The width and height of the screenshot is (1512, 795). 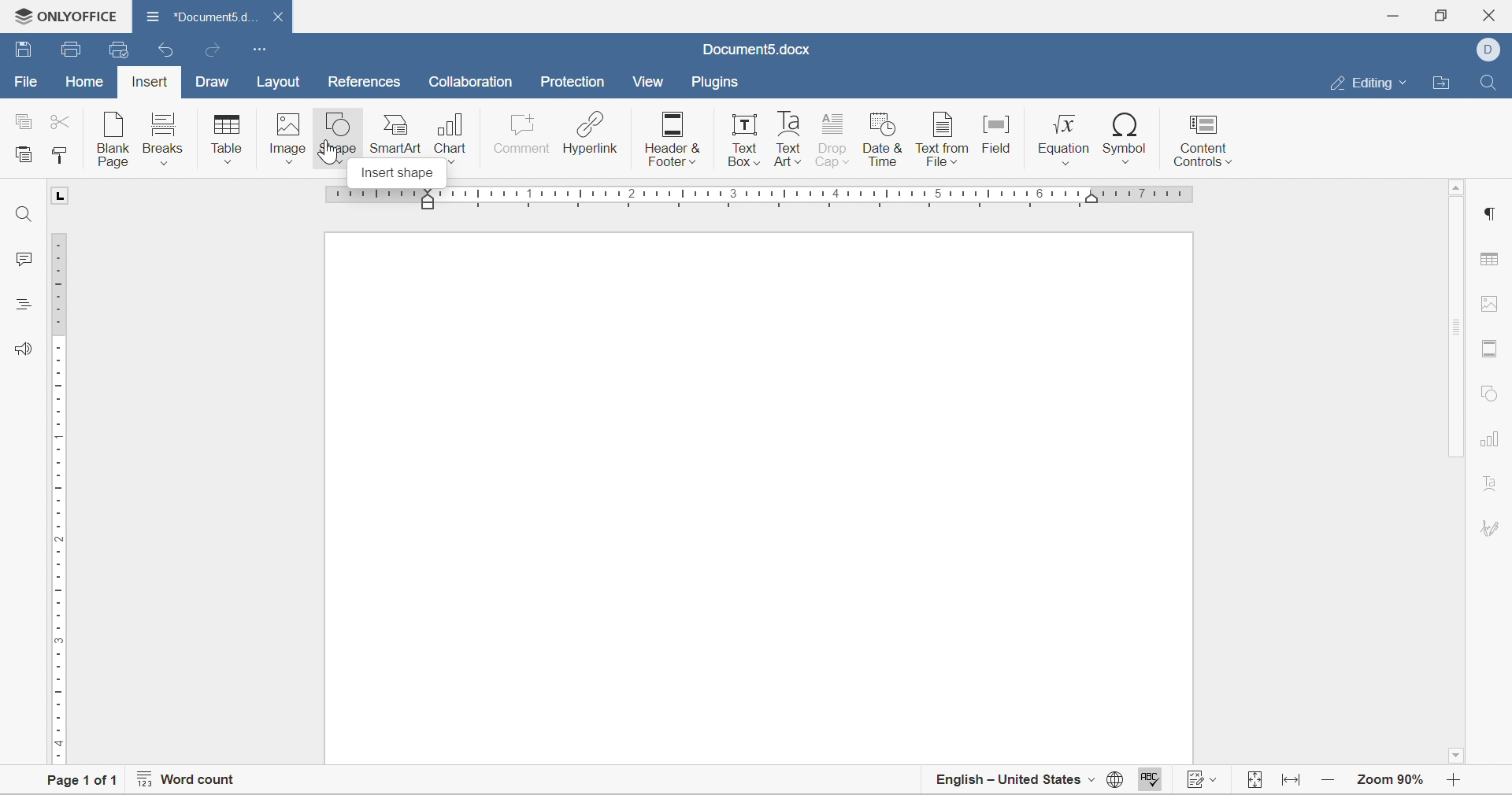 What do you see at coordinates (424, 346) in the screenshot?
I see `typing cursor` at bounding box center [424, 346].